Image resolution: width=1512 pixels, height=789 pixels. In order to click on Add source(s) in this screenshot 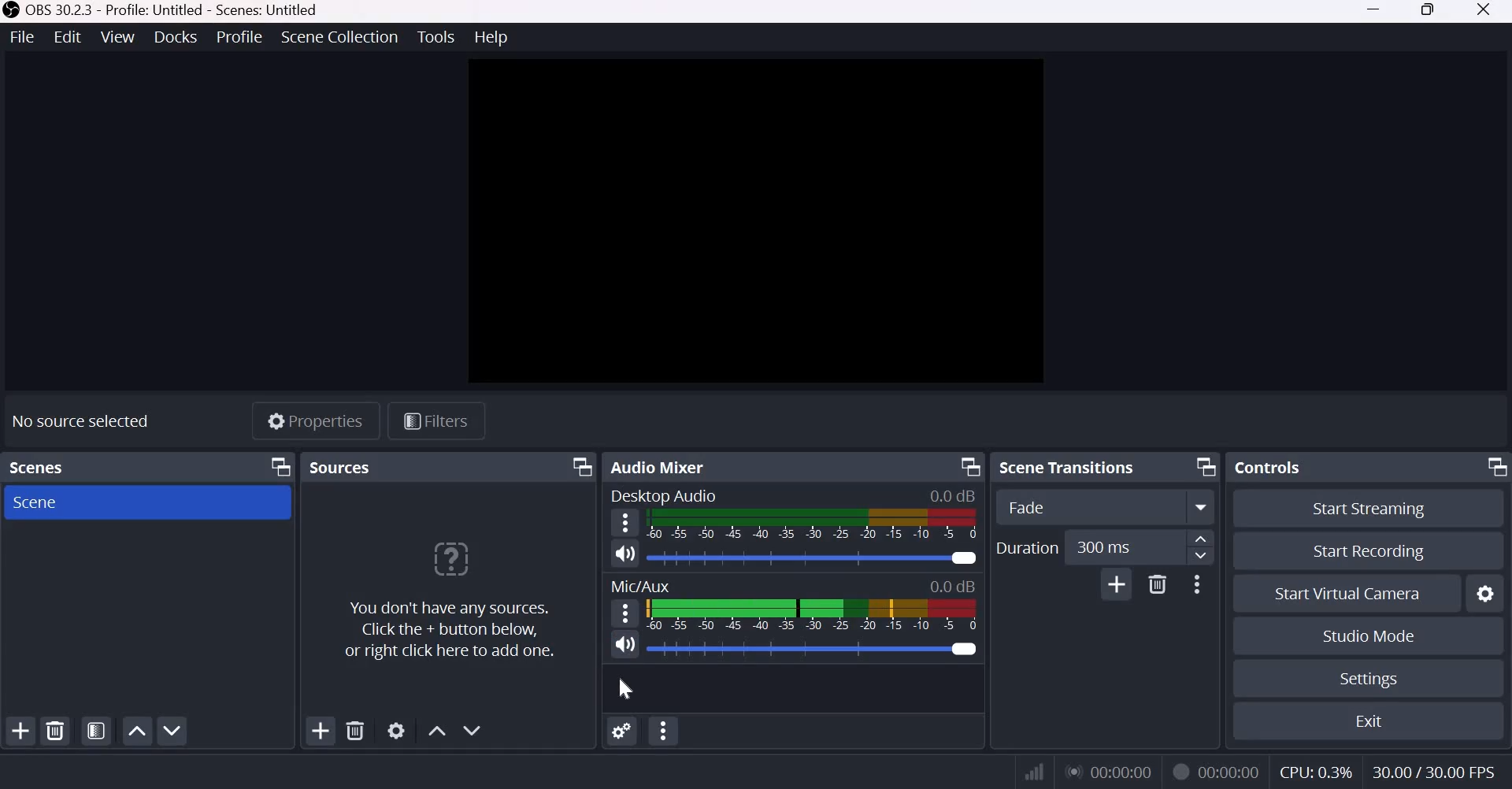, I will do `click(318, 731)`.